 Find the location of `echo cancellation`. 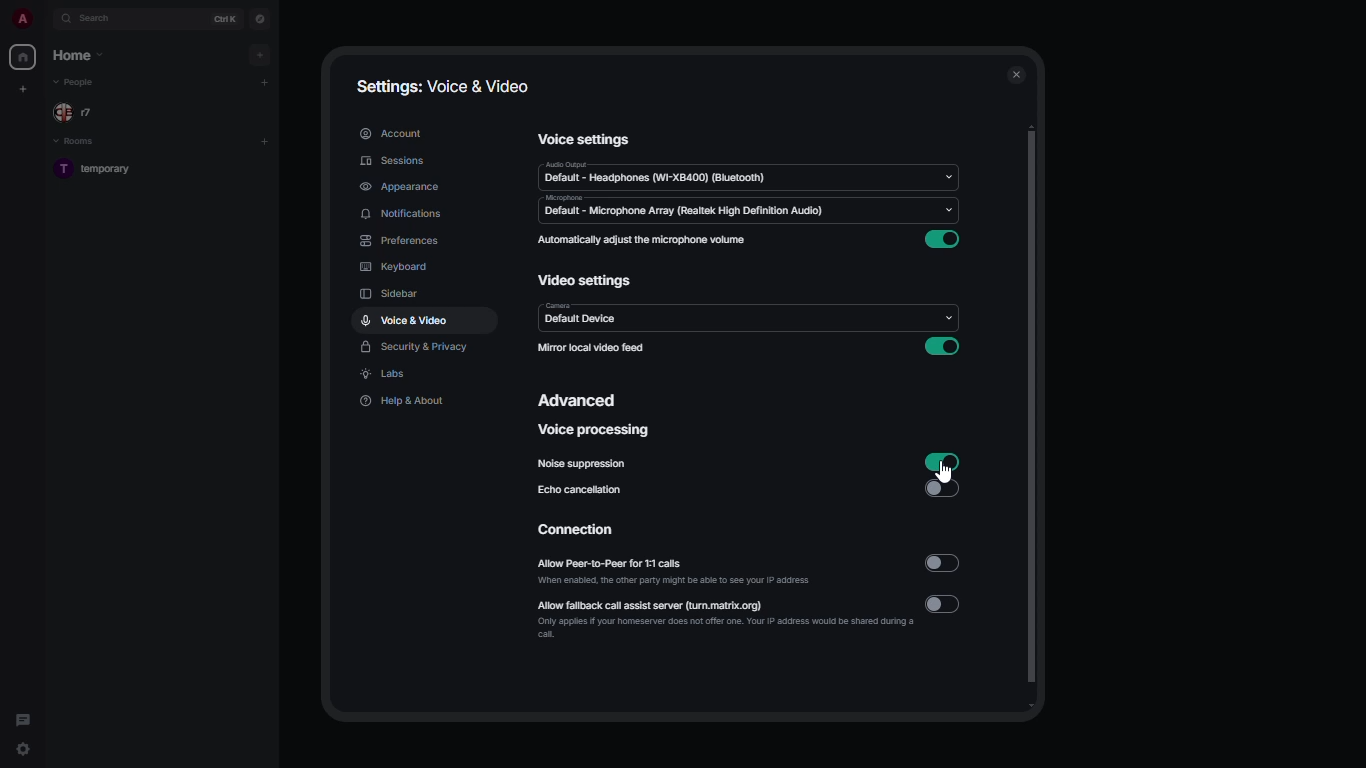

echo cancellation is located at coordinates (580, 489).